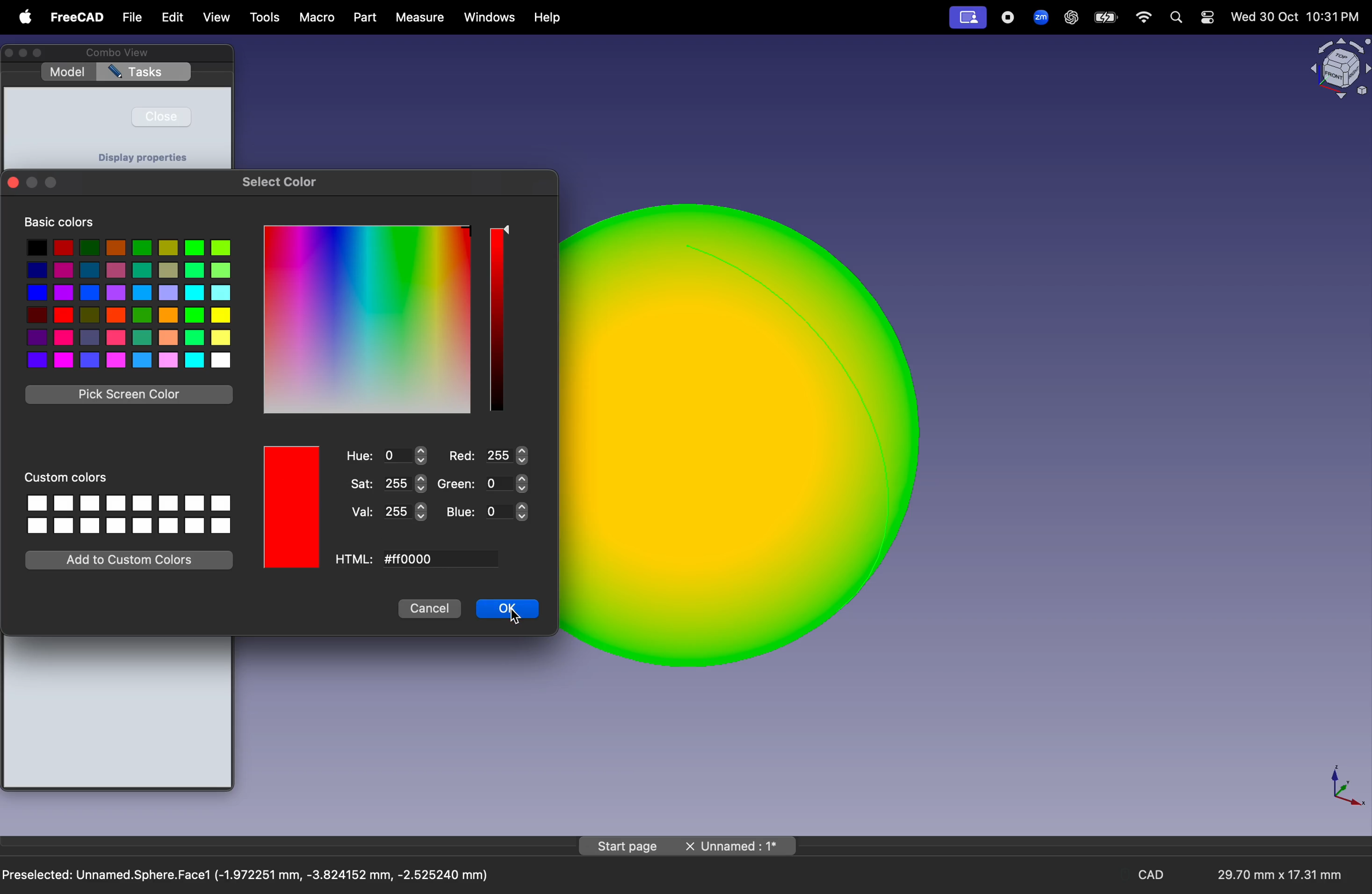 This screenshot has width=1372, height=894. I want to click on apple menu, so click(22, 17).